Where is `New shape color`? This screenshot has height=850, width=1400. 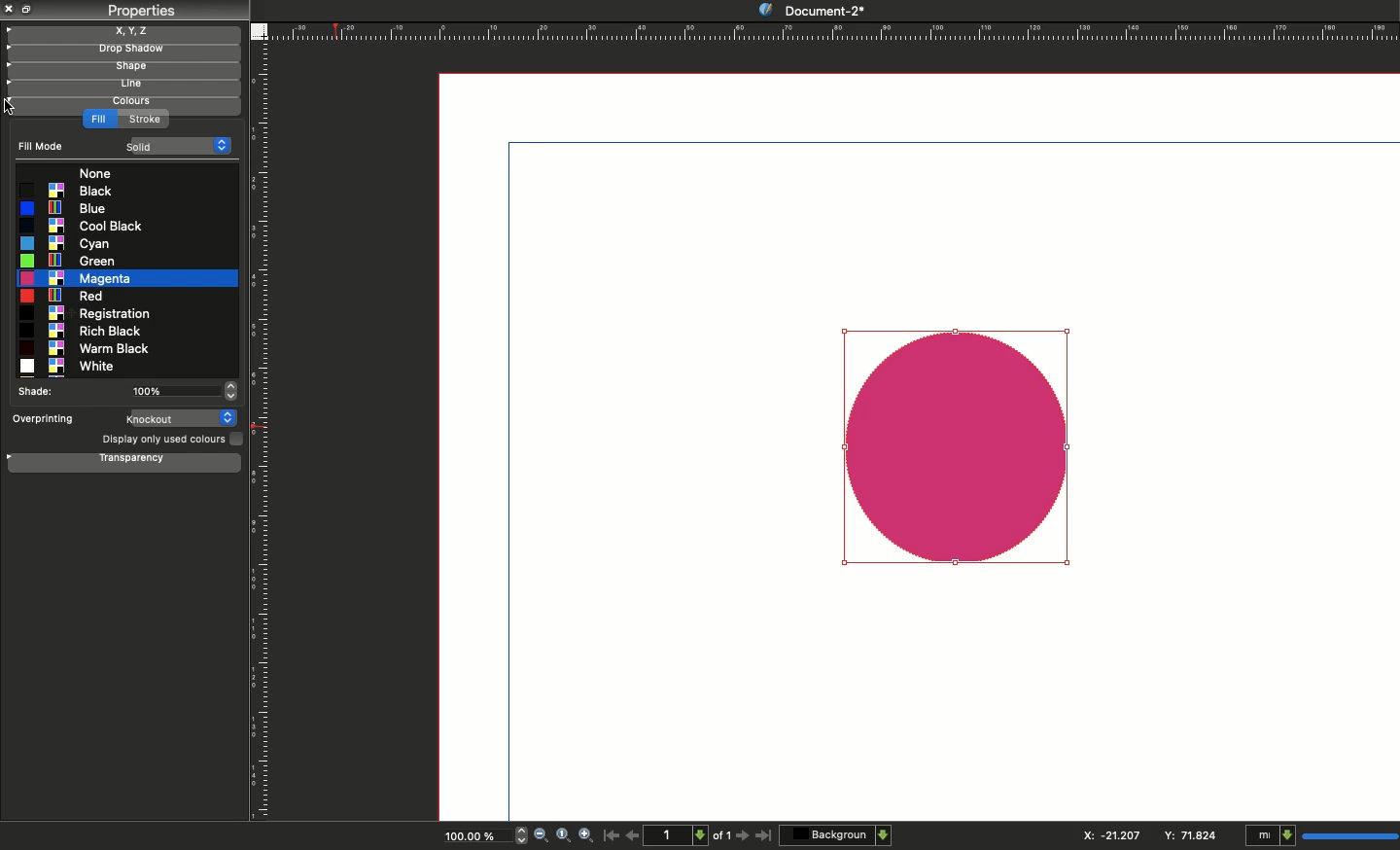 New shape color is located at coordinates (964, 448).